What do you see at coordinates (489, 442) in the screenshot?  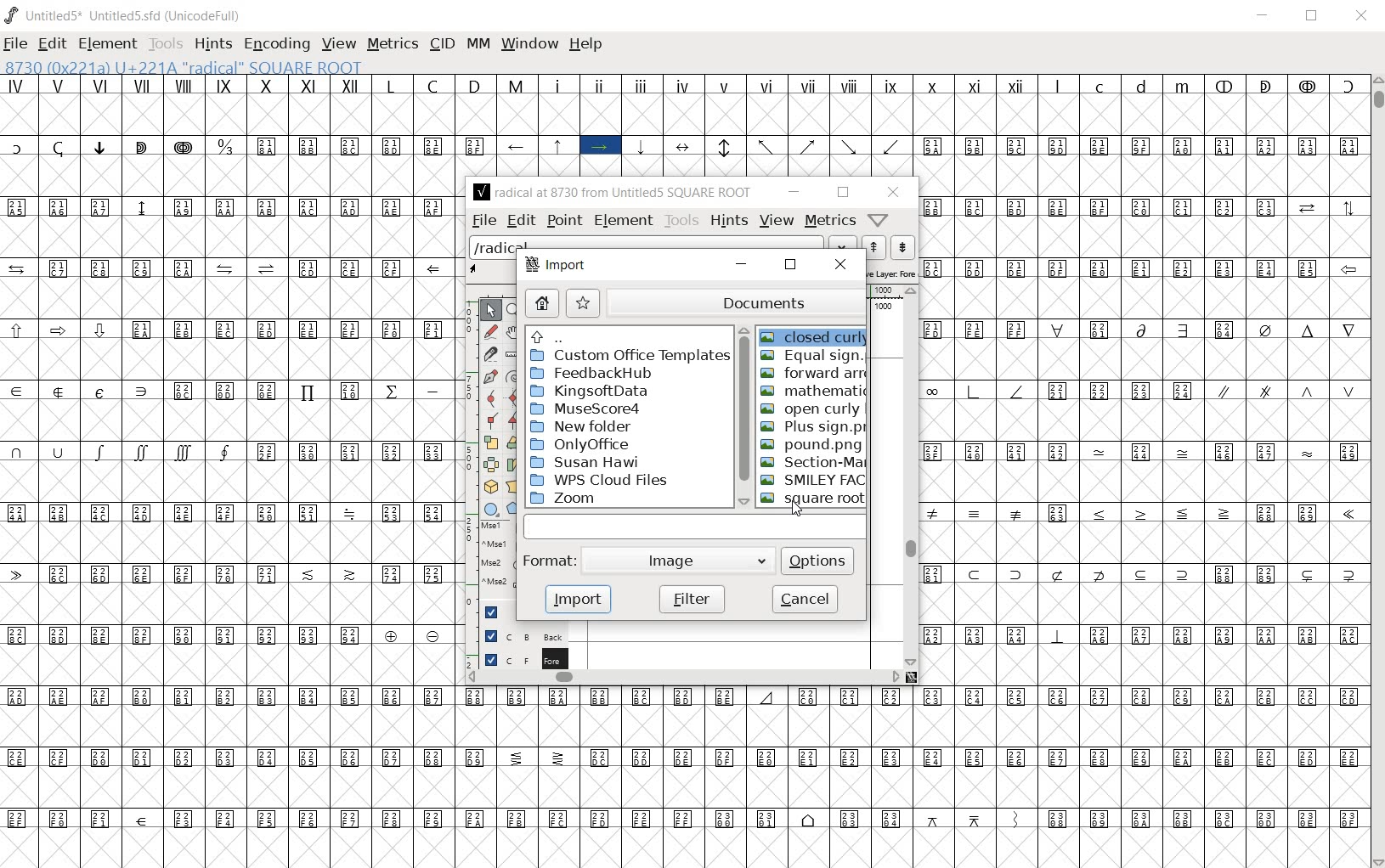 I see `scale the selection` at bounding box center [489, 442].